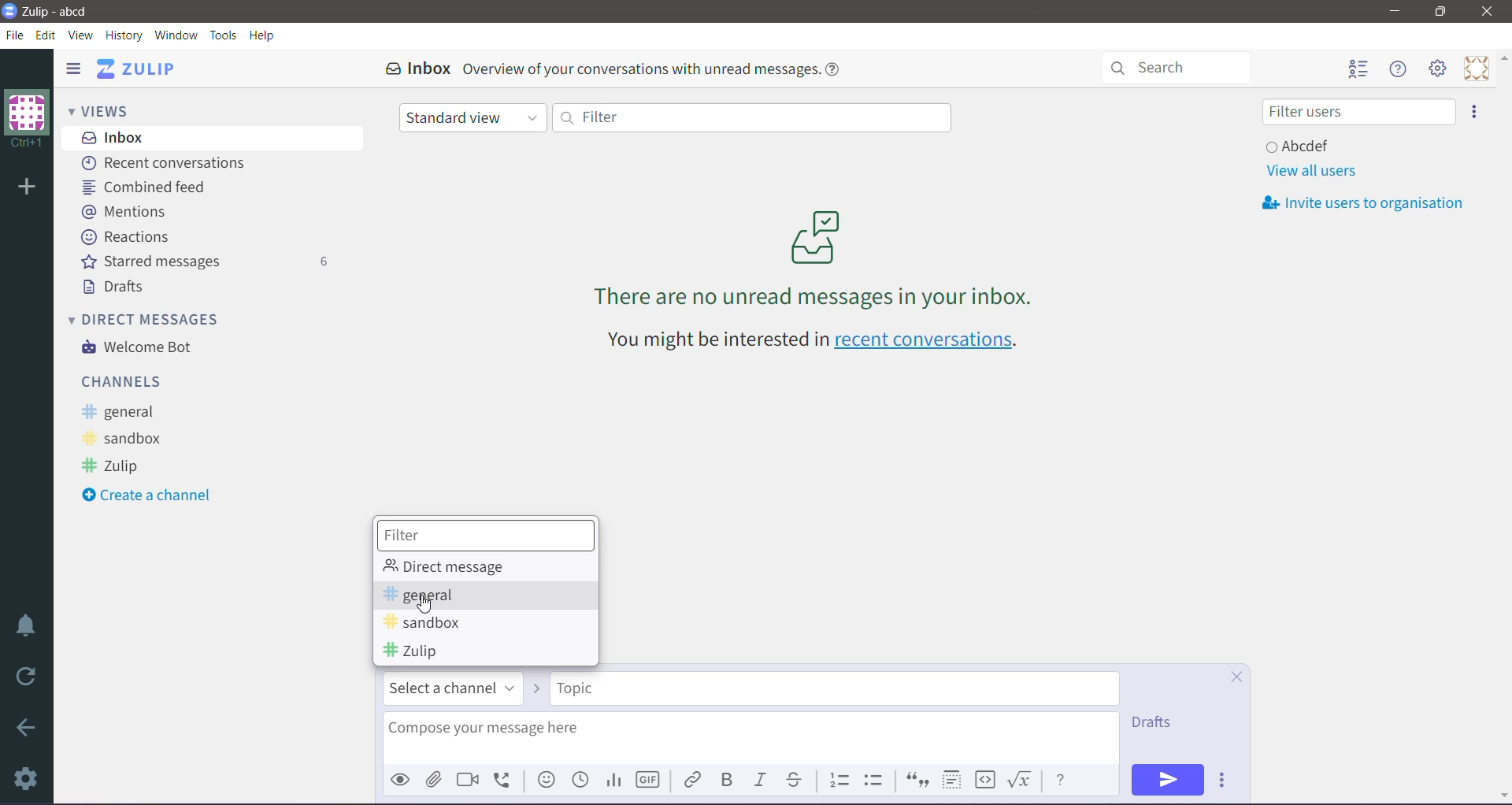  I want to click on sandbox, so click(486, 624).